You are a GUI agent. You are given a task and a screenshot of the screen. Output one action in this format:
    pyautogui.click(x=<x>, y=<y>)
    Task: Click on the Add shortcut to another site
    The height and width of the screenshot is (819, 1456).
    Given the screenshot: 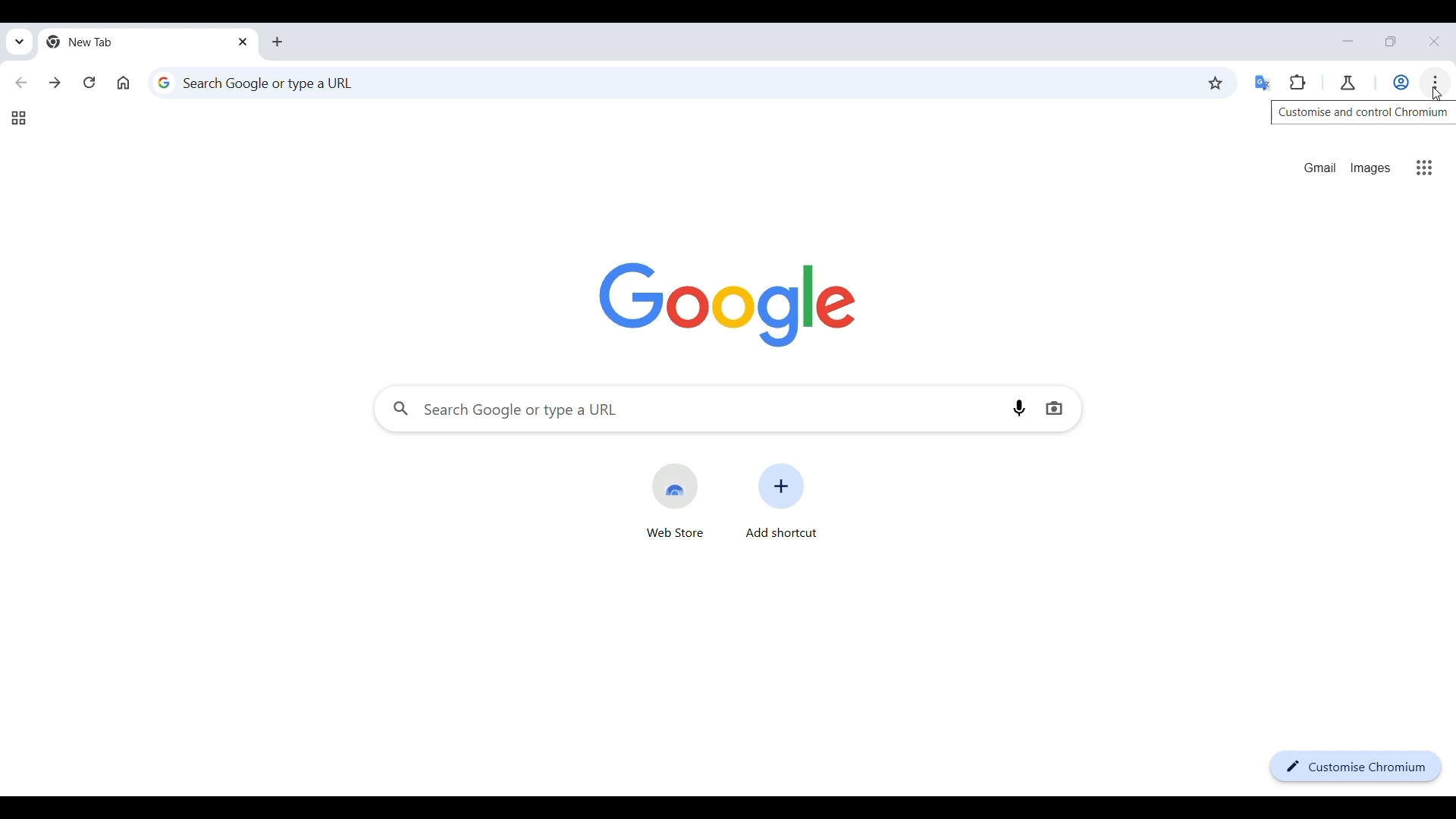 What is the action you would take?
    pyautogui.click(x=780, y=501)
    